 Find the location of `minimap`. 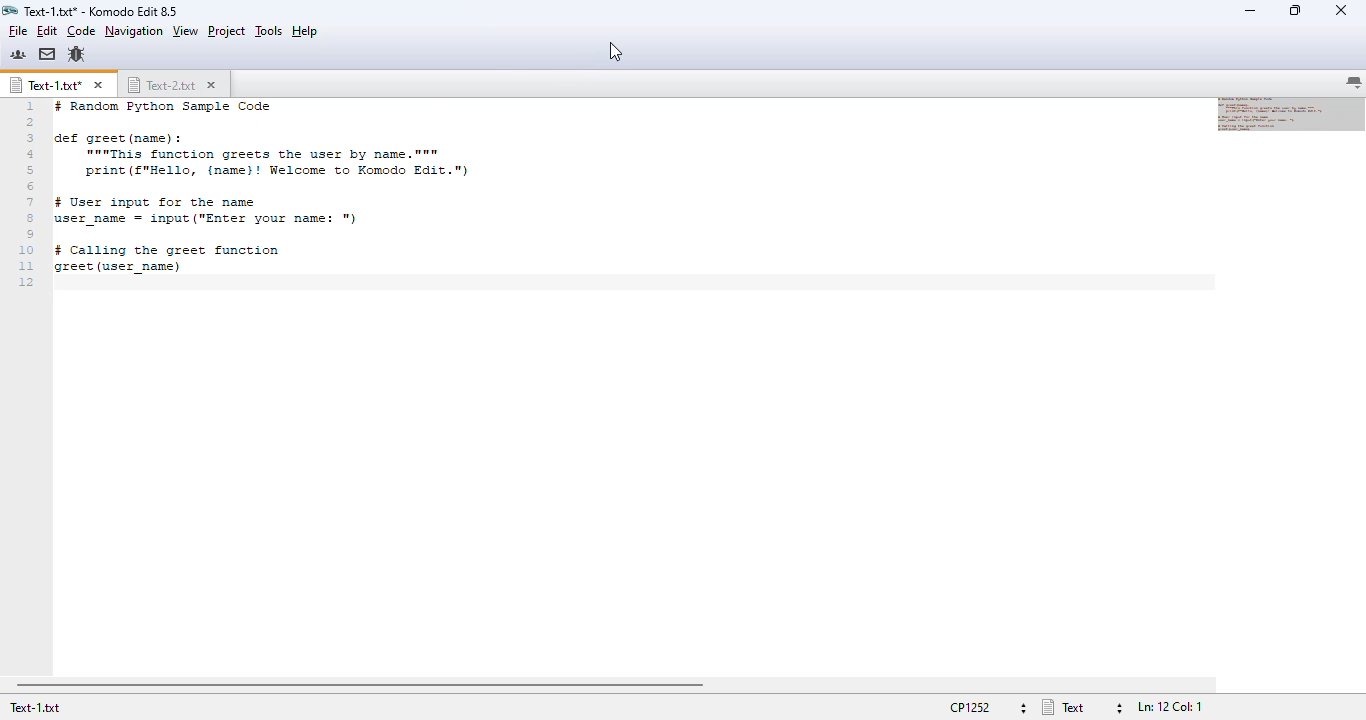

minimap is located at coordinates (1292, 115).